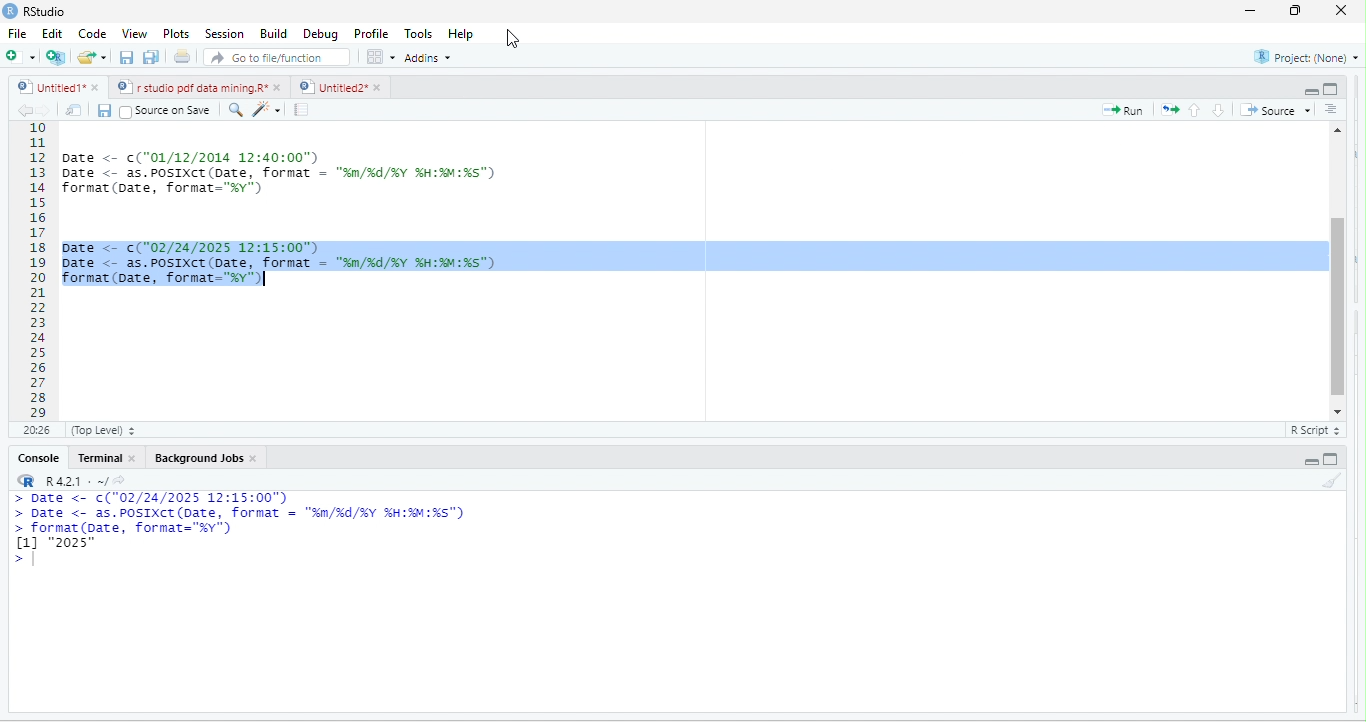  I want to click on maximize, so click(1292, 12).